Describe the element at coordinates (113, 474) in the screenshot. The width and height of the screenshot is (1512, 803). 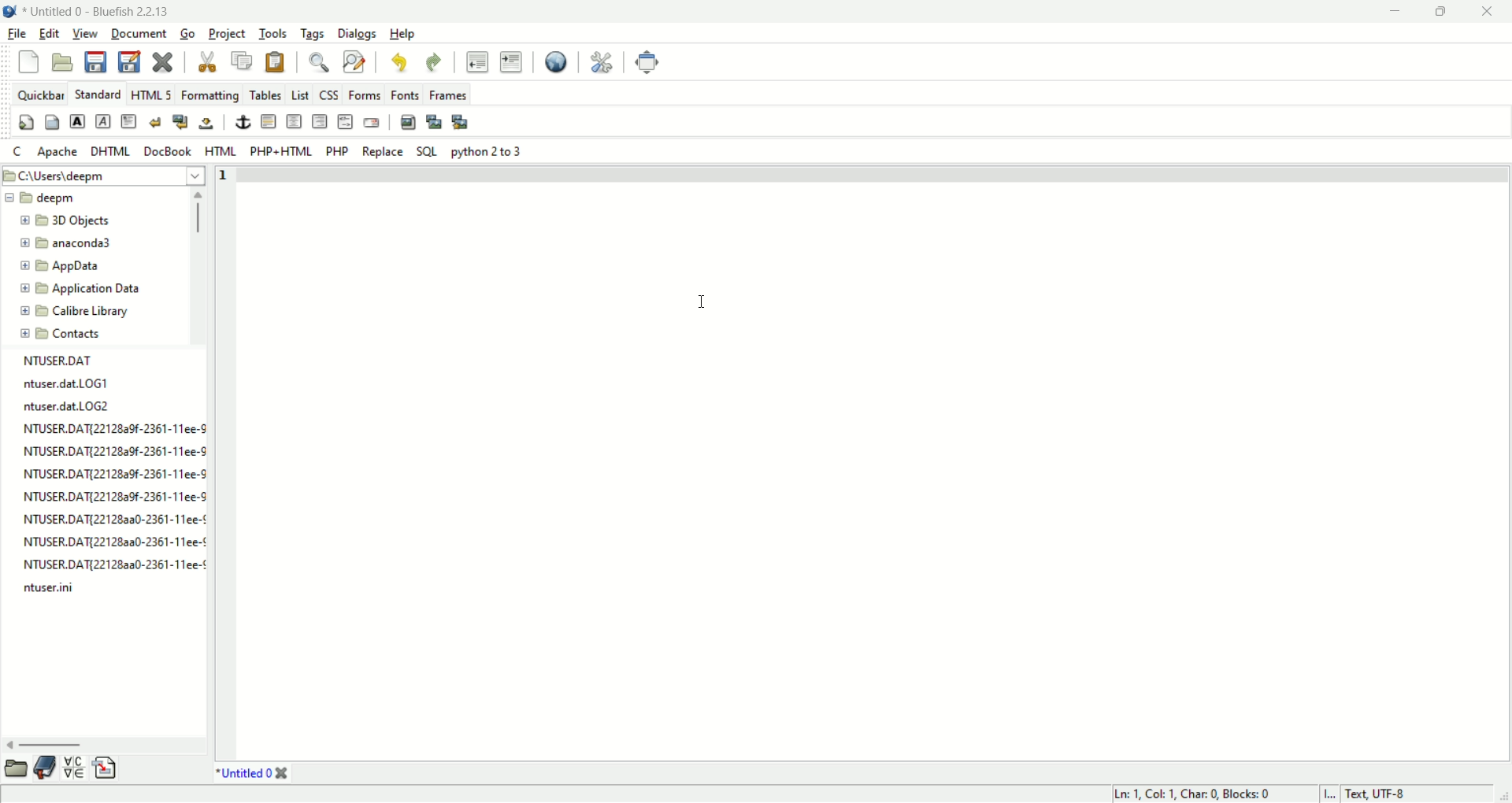
I see `NTUSER.DAT{2212829f-2361-11ee-3` at that location.